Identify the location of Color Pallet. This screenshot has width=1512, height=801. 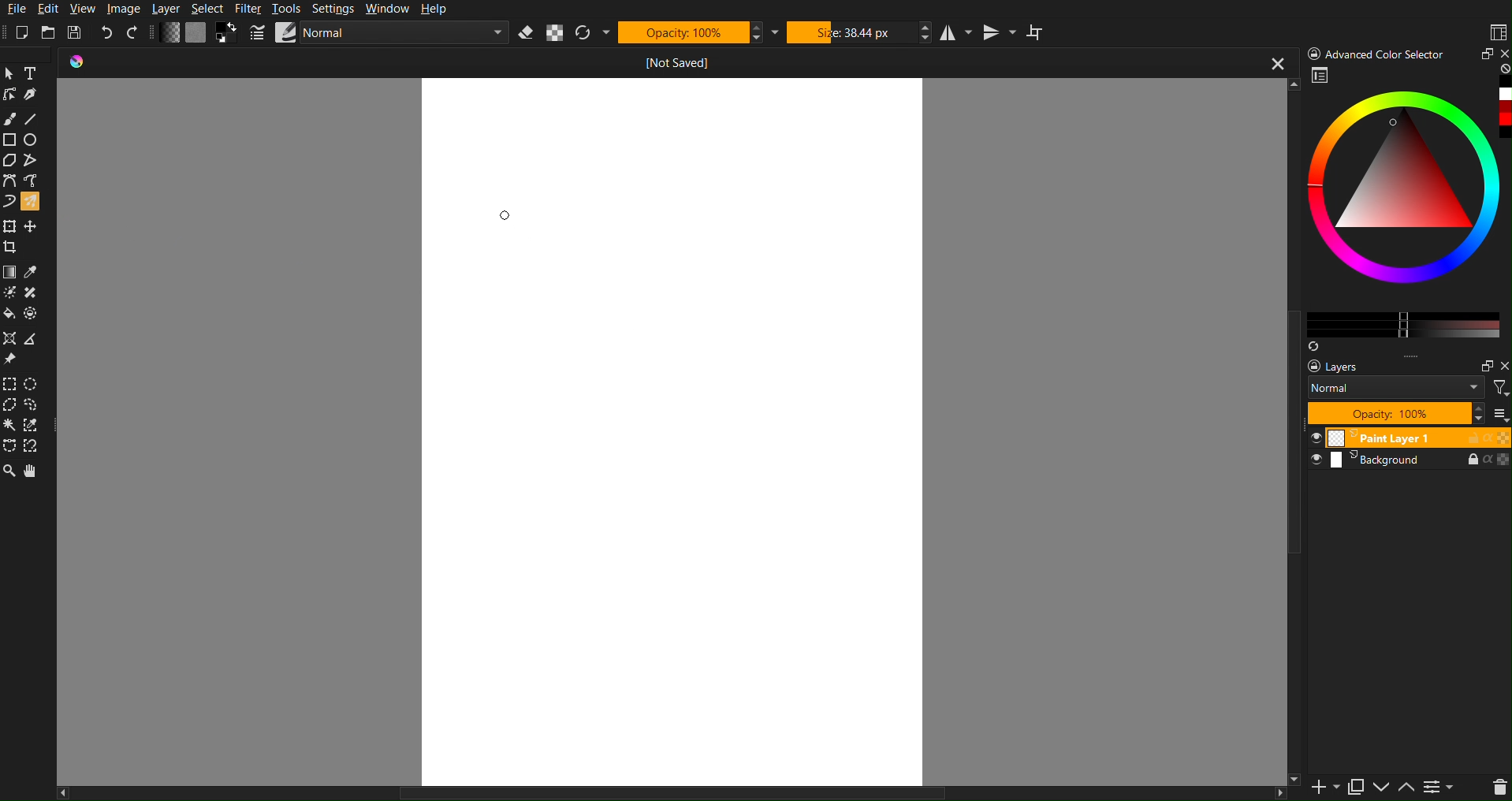
(35, 317).